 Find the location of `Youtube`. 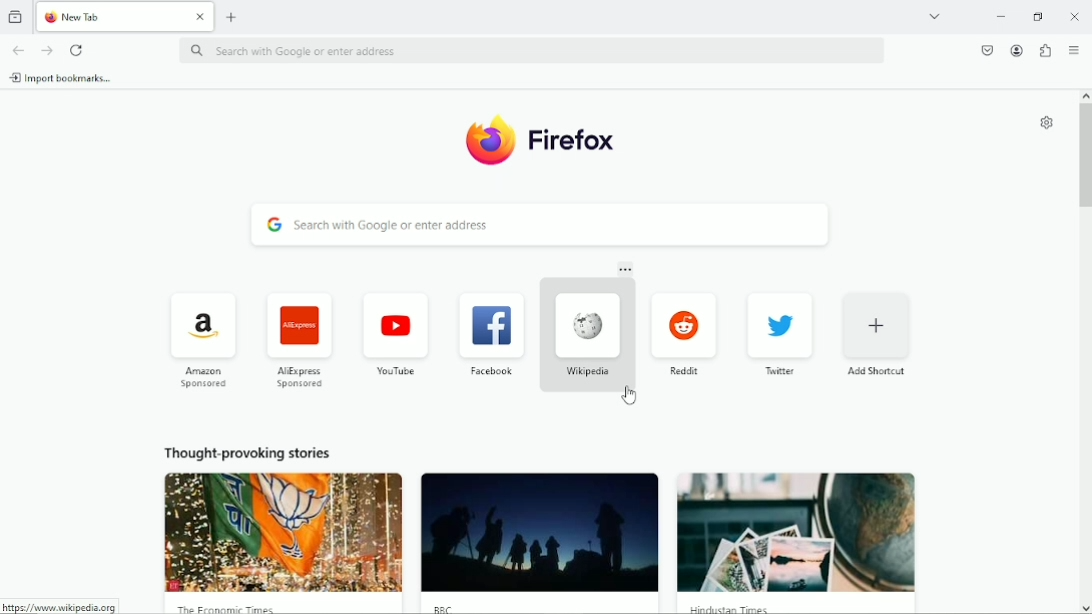

Youtube is located at coordinates (395, 333).